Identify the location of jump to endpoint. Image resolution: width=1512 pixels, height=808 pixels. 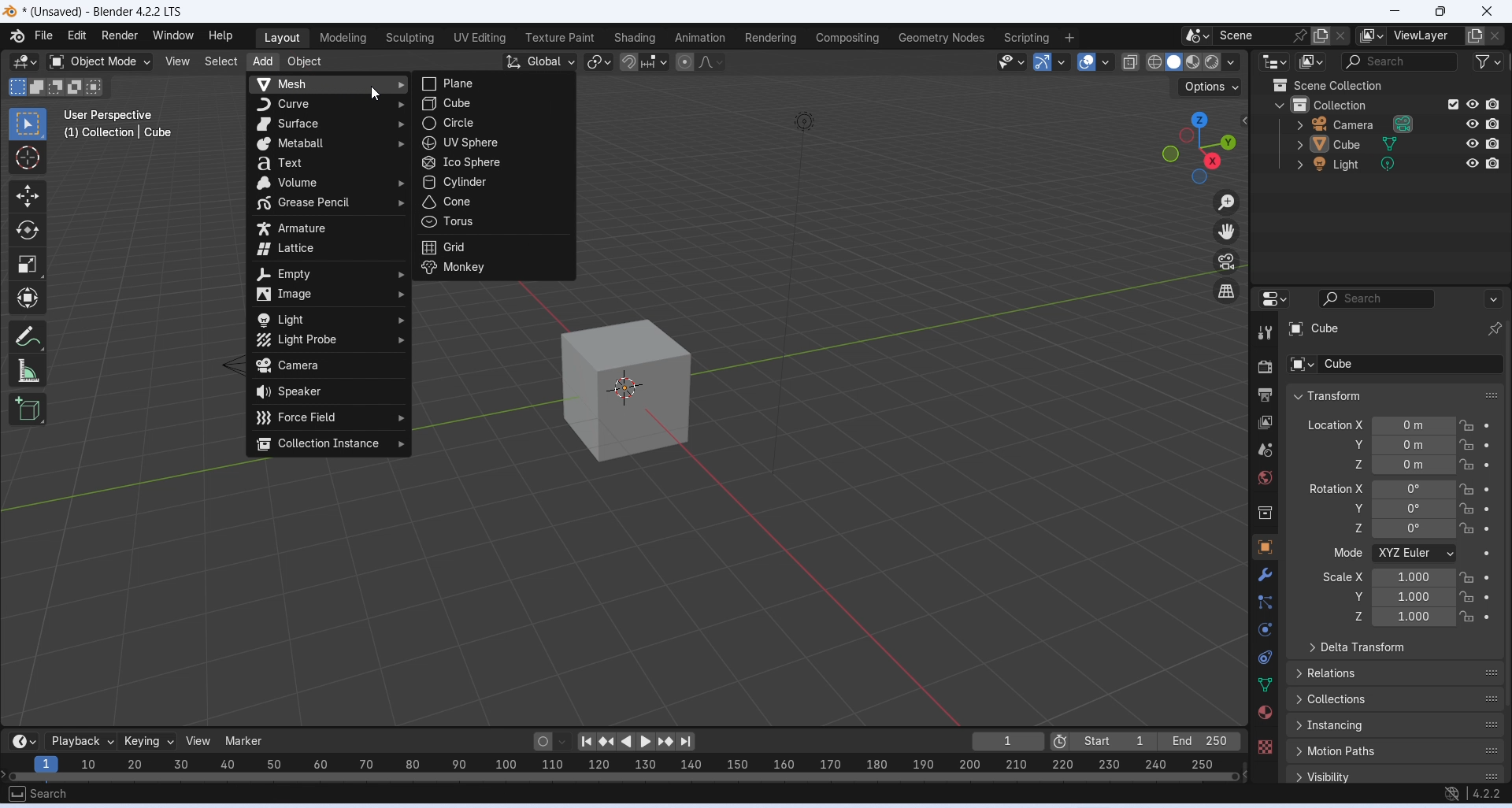
(586, 742).